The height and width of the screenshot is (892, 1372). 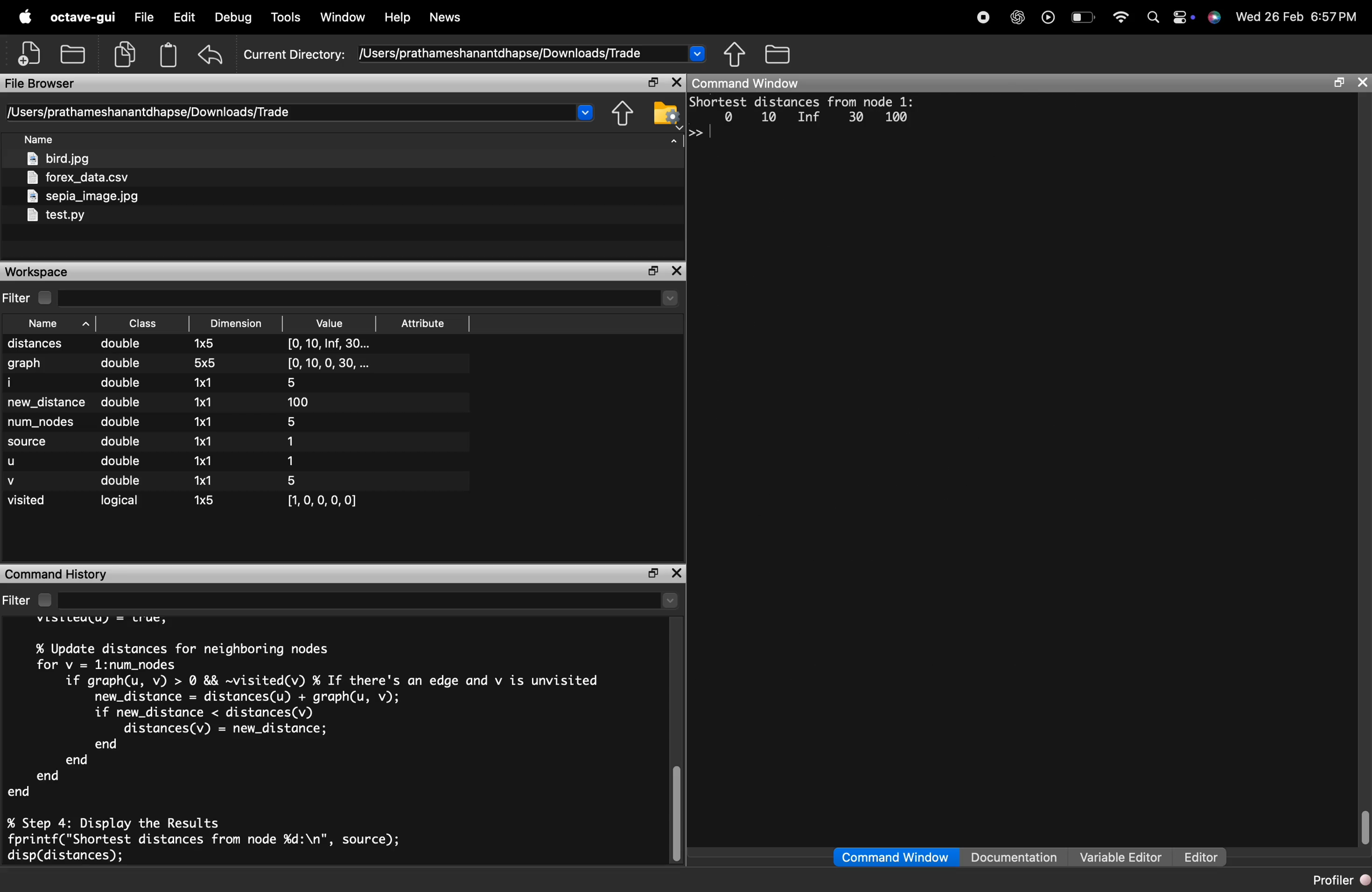 I want to click on profiler , so click(x=1337, y=880).